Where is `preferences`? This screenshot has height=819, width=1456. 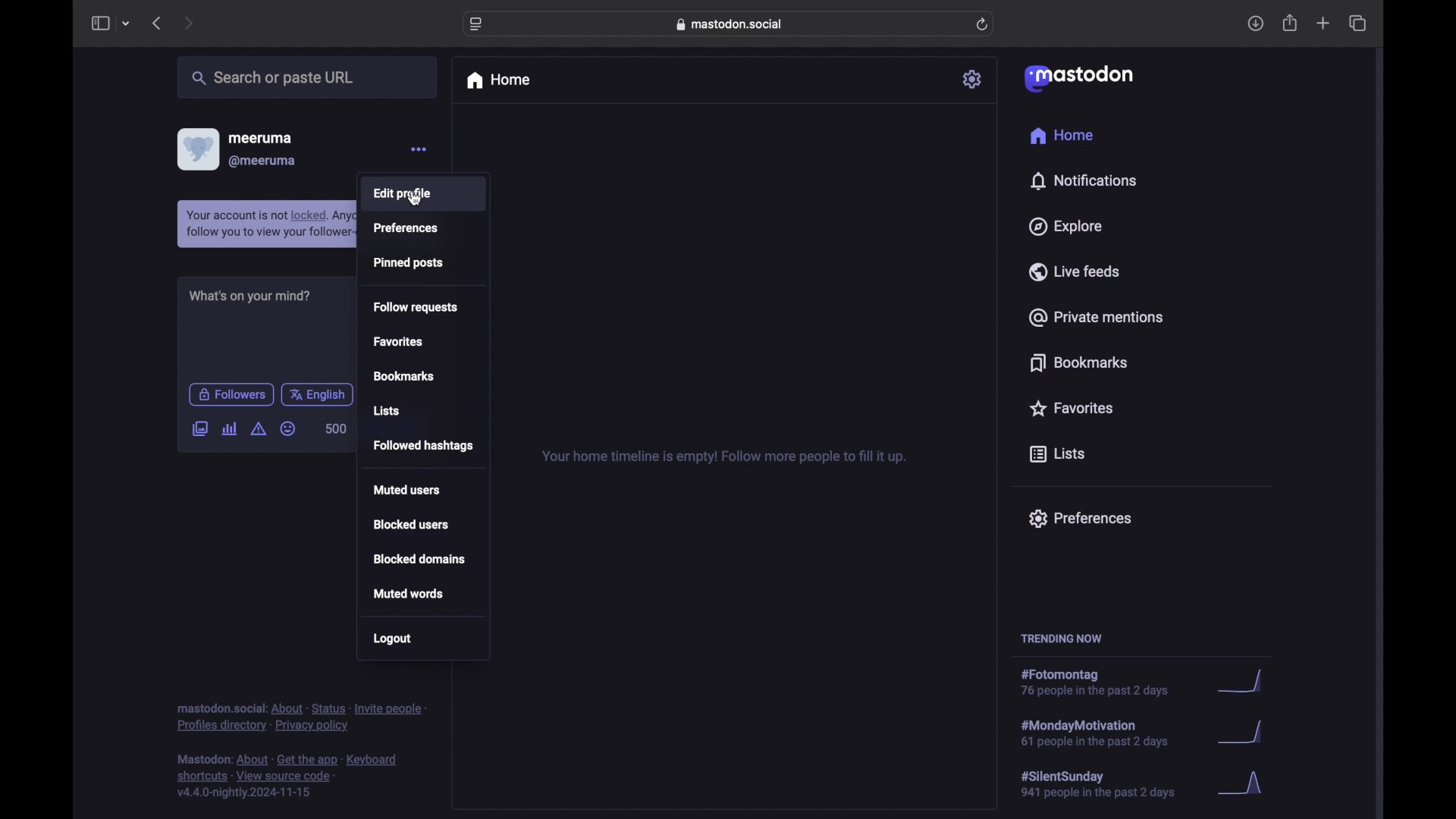 preferences is located at coordinates (405, 227).